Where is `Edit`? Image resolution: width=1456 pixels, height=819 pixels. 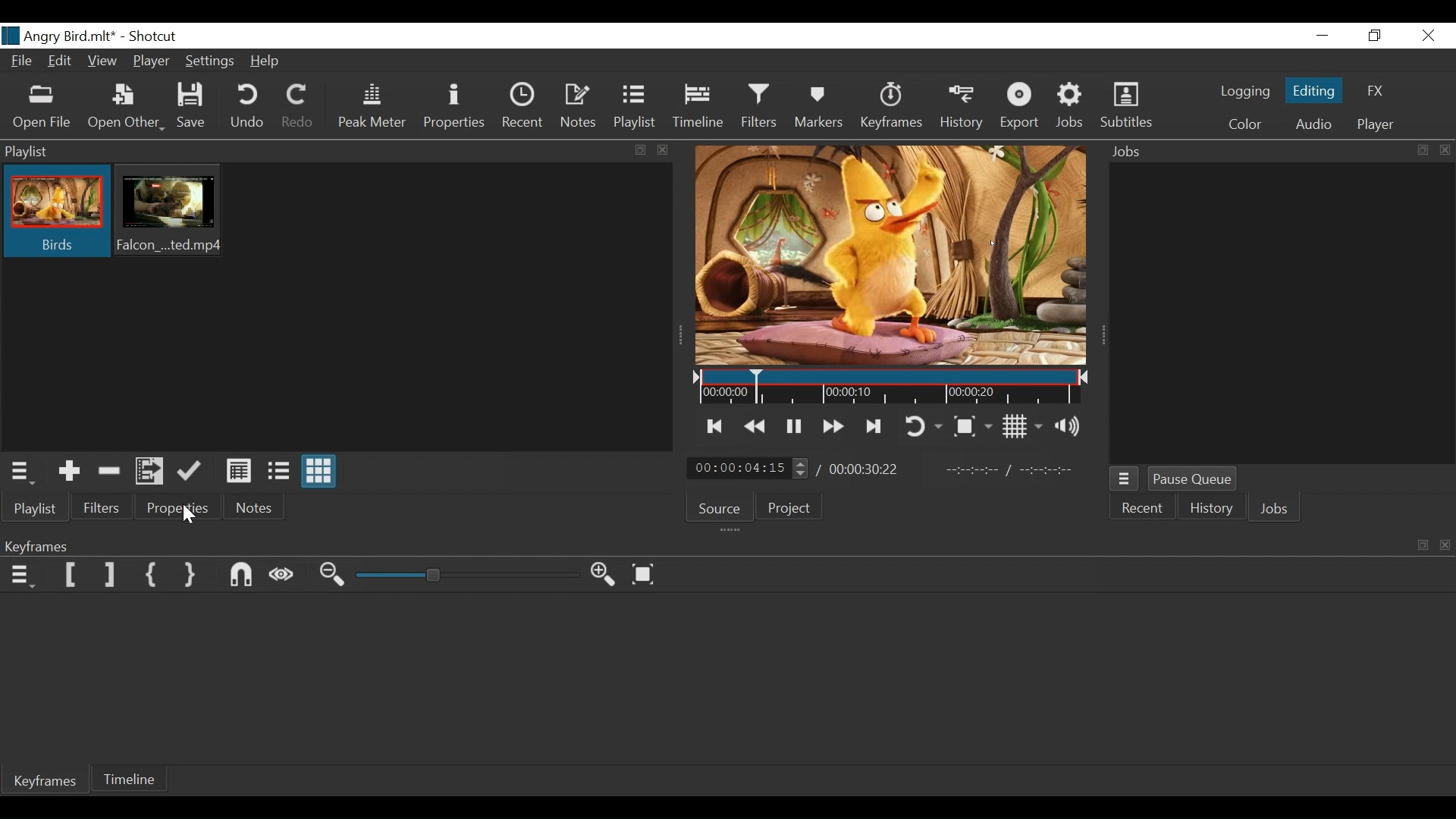 Edit is located at coordinates (61, 63).